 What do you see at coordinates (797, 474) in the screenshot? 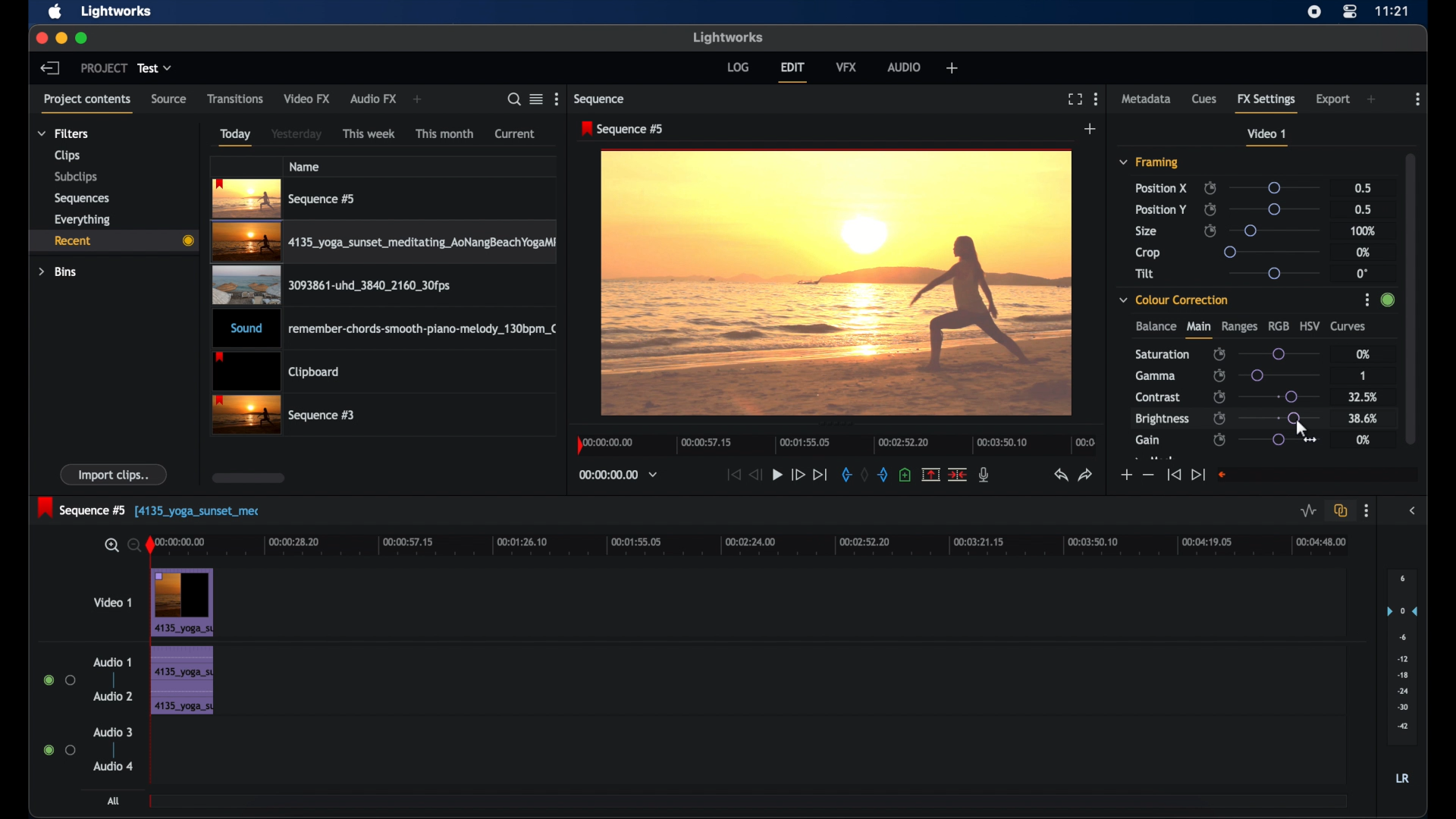
I see `fast forward` at bounding box center [797, 474].